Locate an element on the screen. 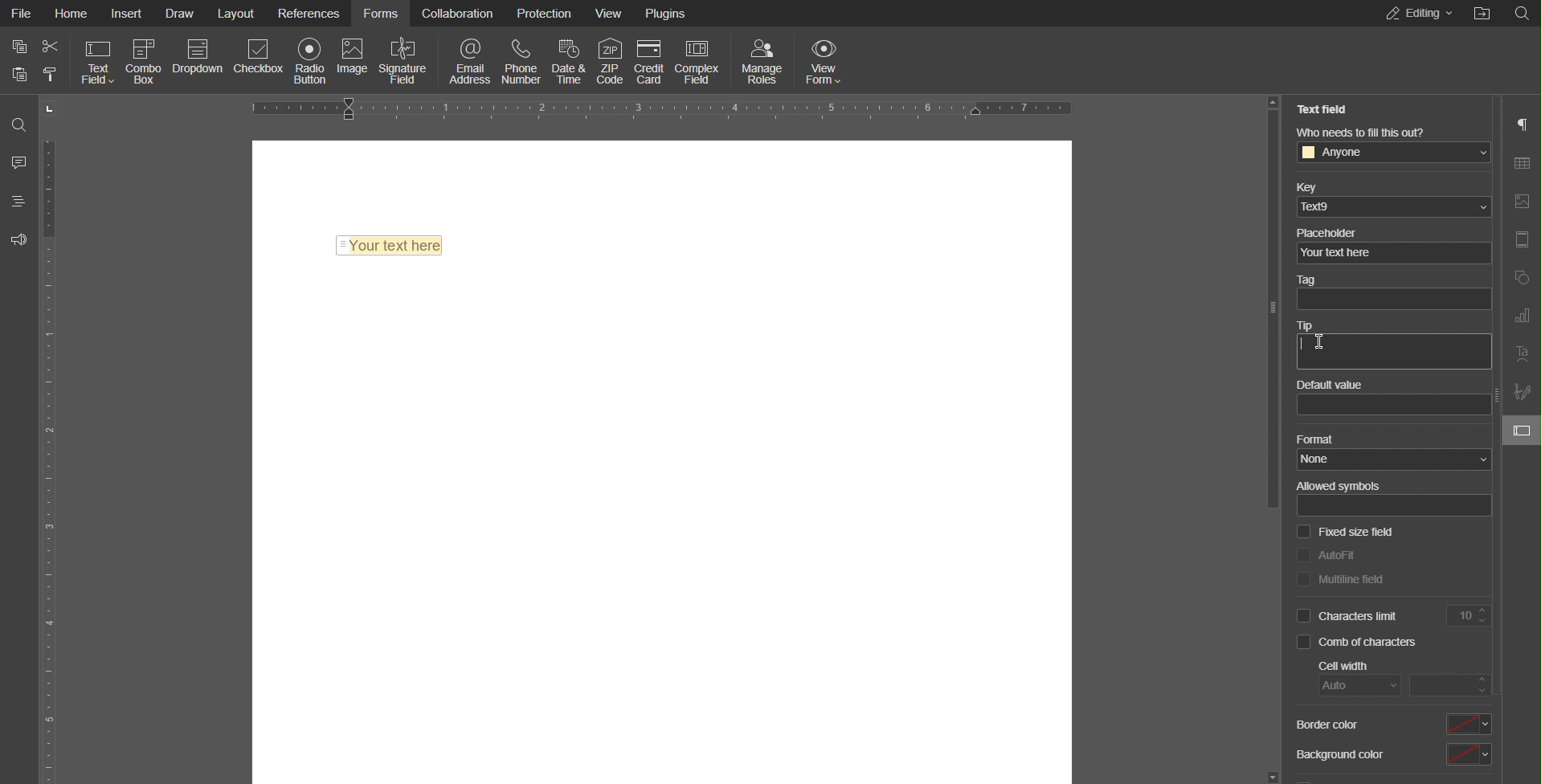 The width and height of the screenshot is (1541, 784). Shape Settings is located at coordinates (1521, 275).